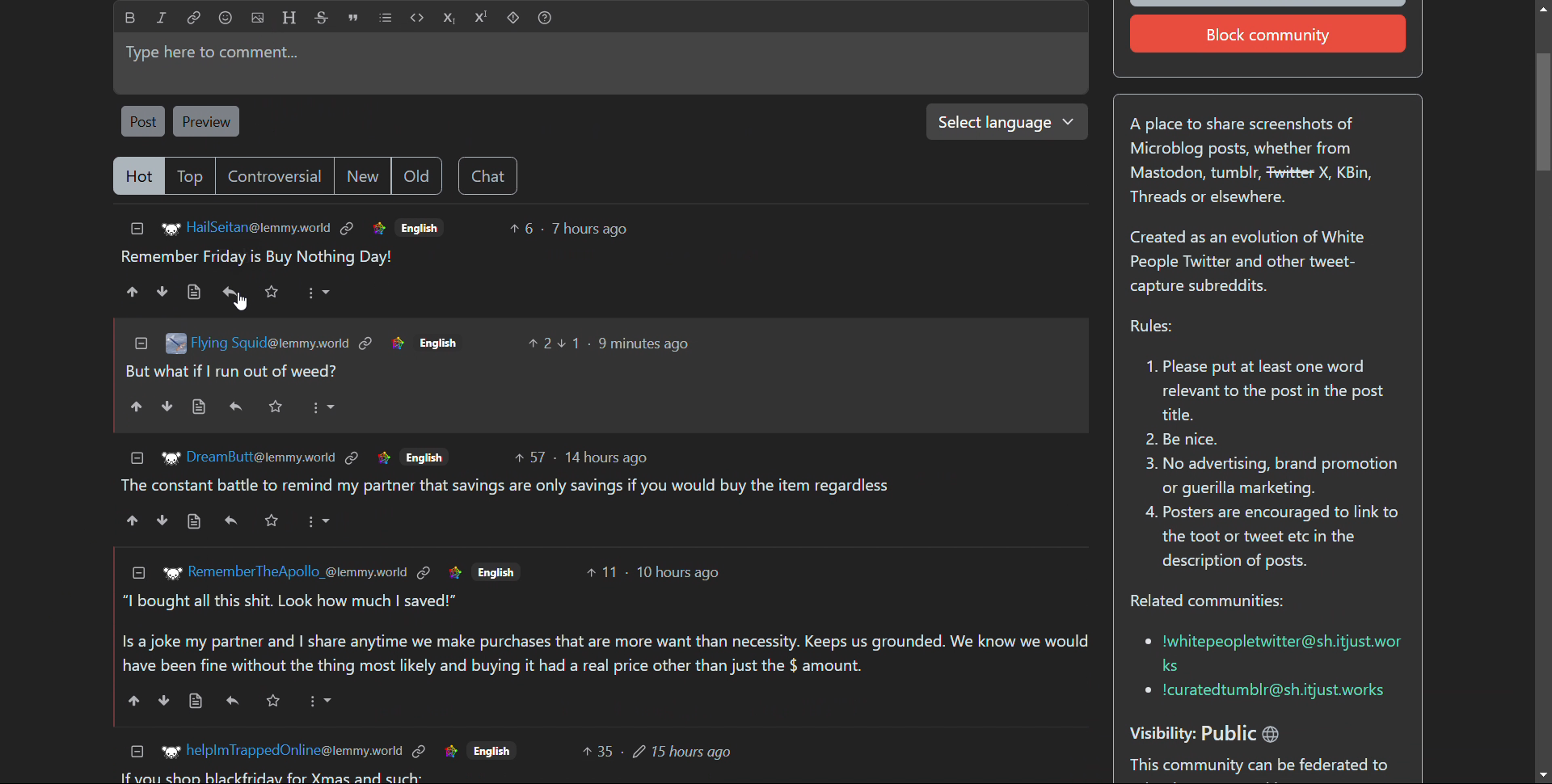 This screenshot has width=1552, height=784. Describe the element at coordinates (644, 344) in the screenshot. I see `time of posting` at that location.